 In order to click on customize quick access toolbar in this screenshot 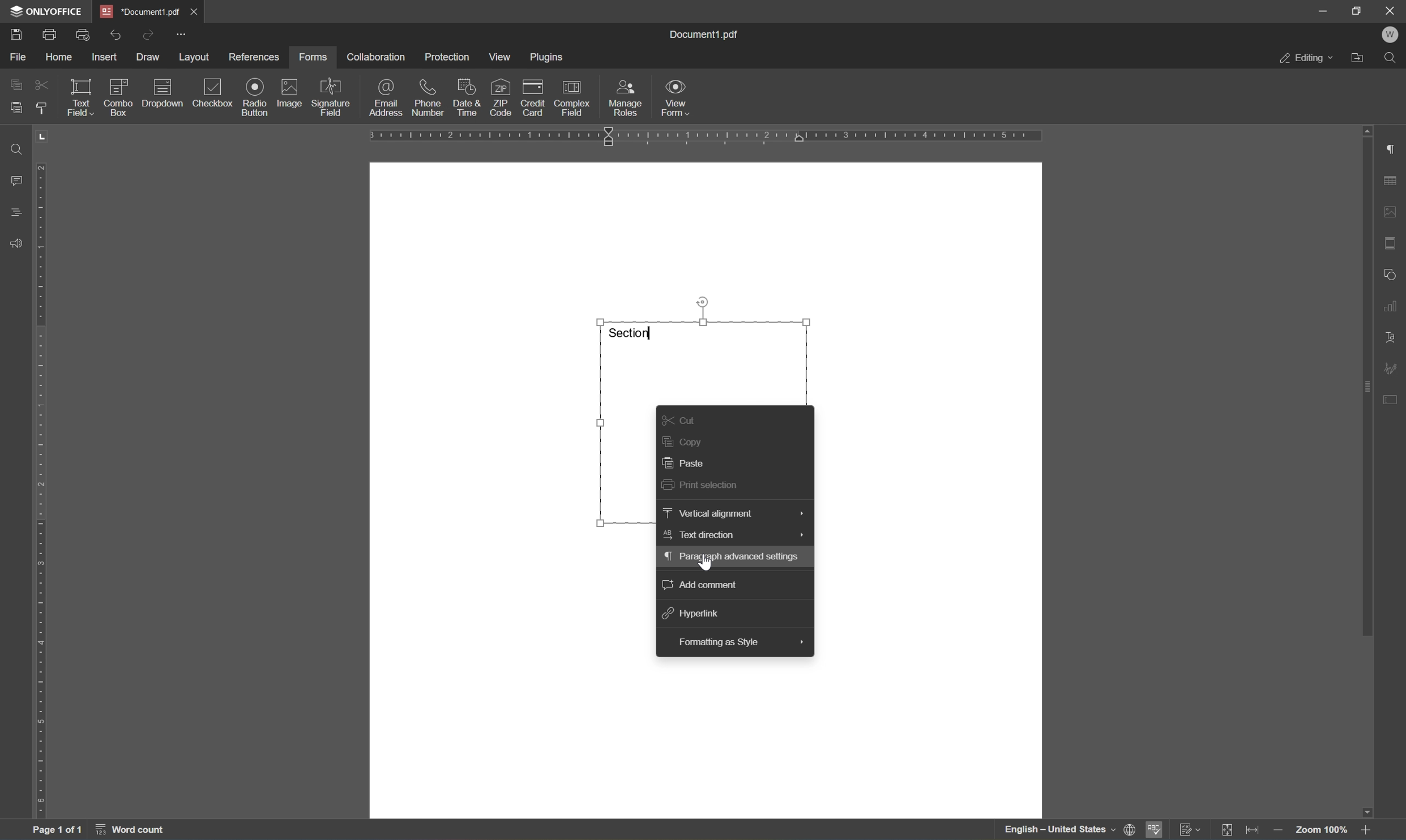, I will do `click(183, 33)`.